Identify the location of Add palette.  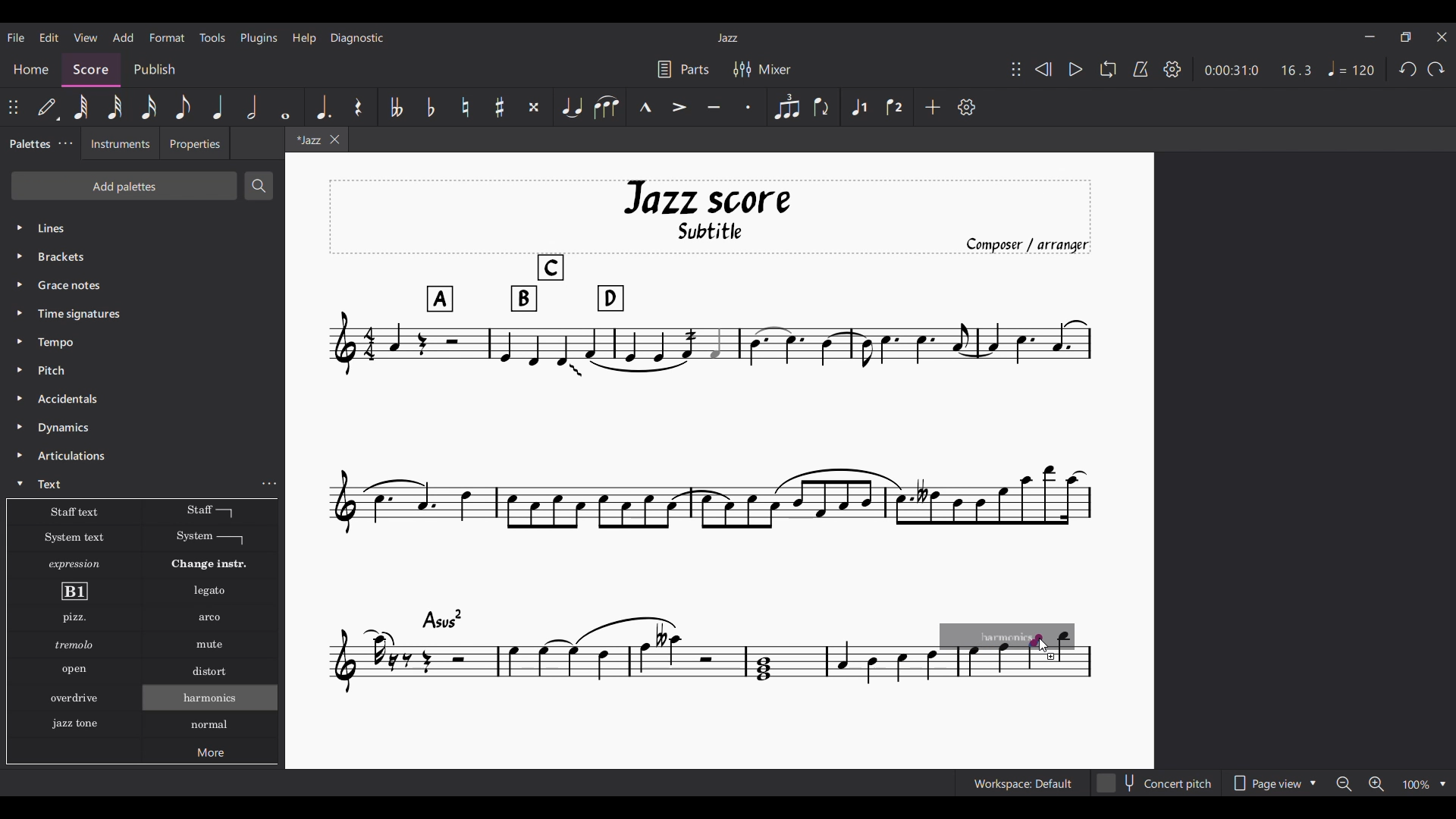
(124, 186).